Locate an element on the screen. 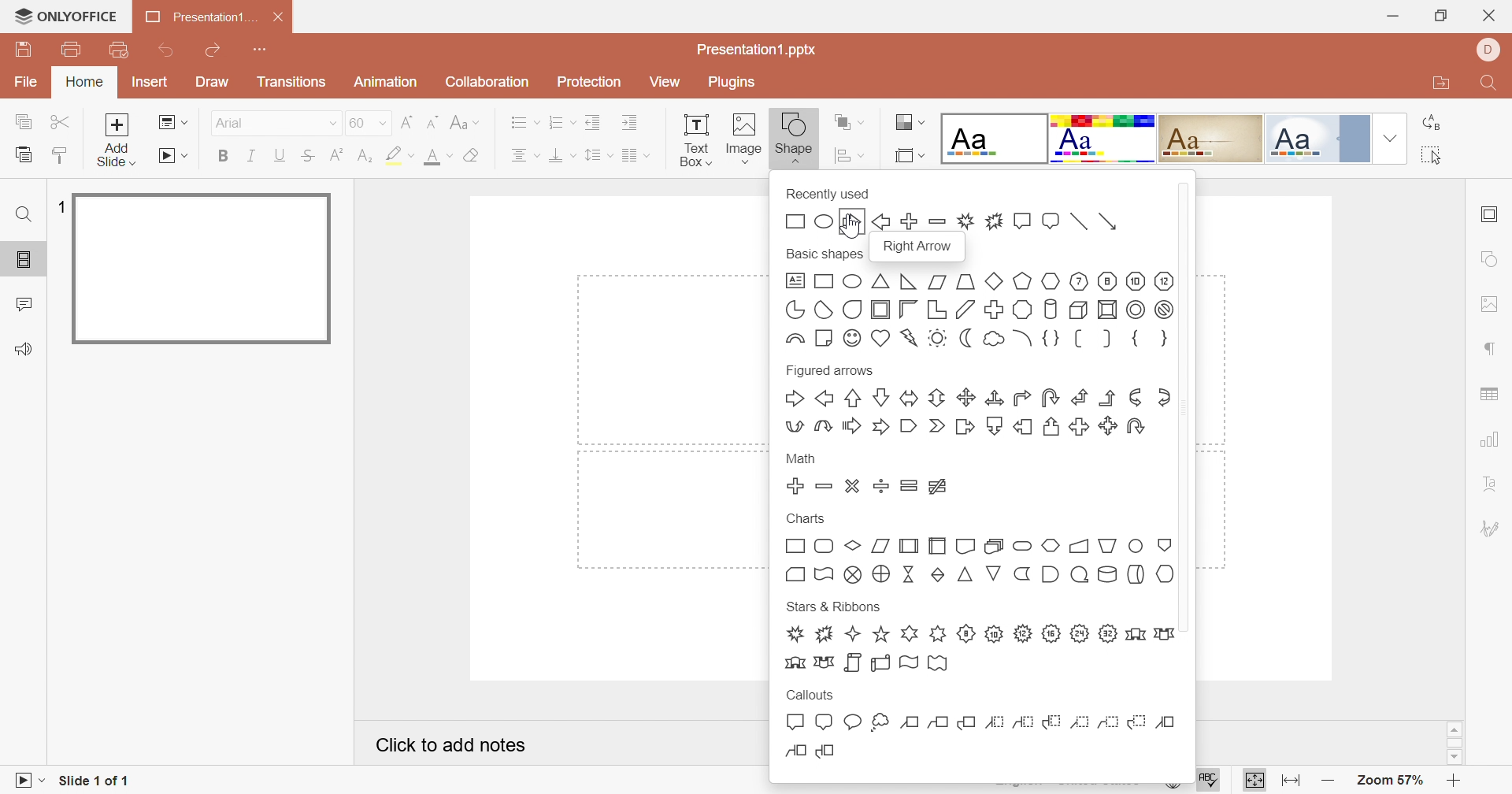 The image size is (1512, 794). Copy is located at coordinates (22, 121).